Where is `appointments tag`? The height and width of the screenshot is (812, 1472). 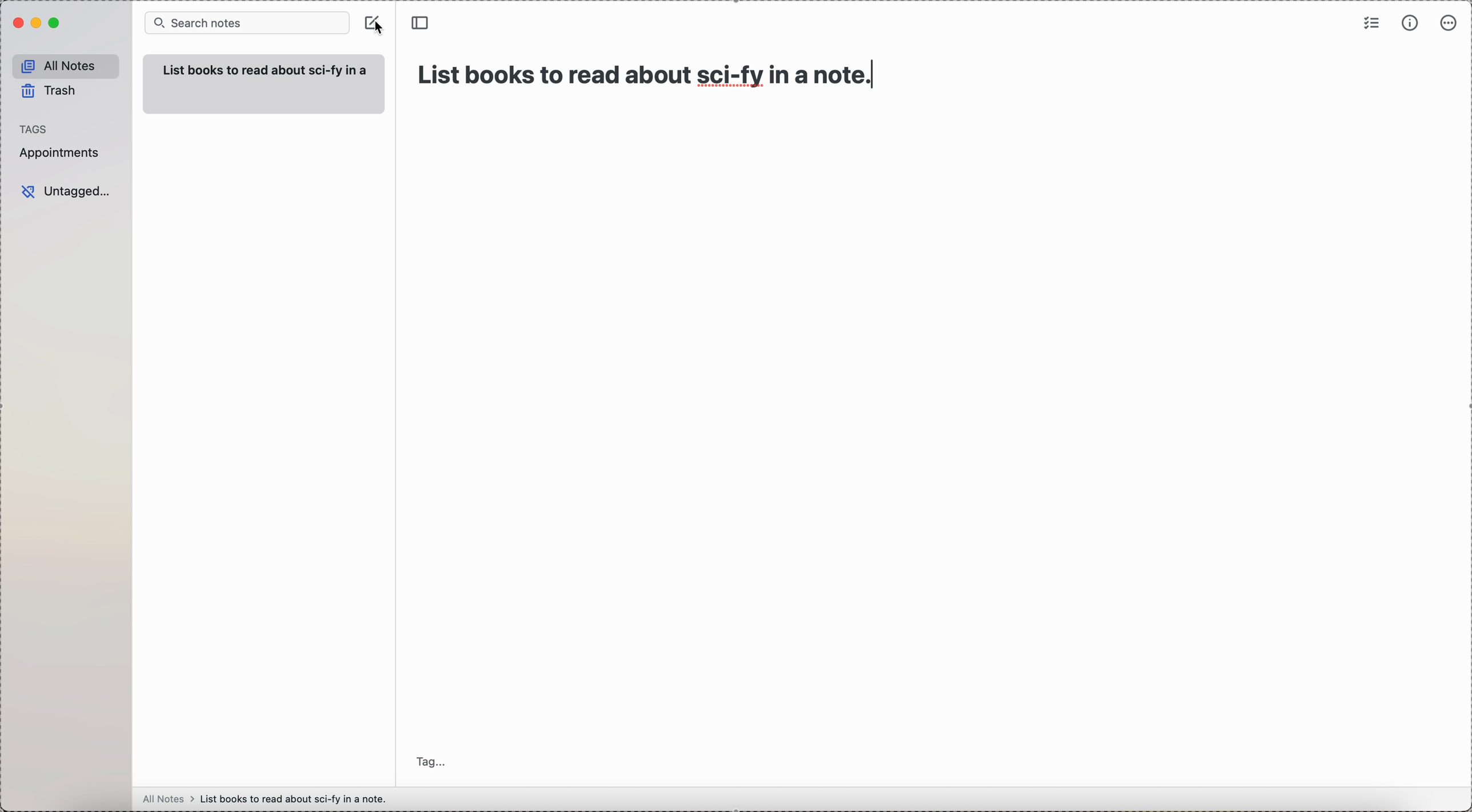
appointments tag is located at coordinates (60, 154).